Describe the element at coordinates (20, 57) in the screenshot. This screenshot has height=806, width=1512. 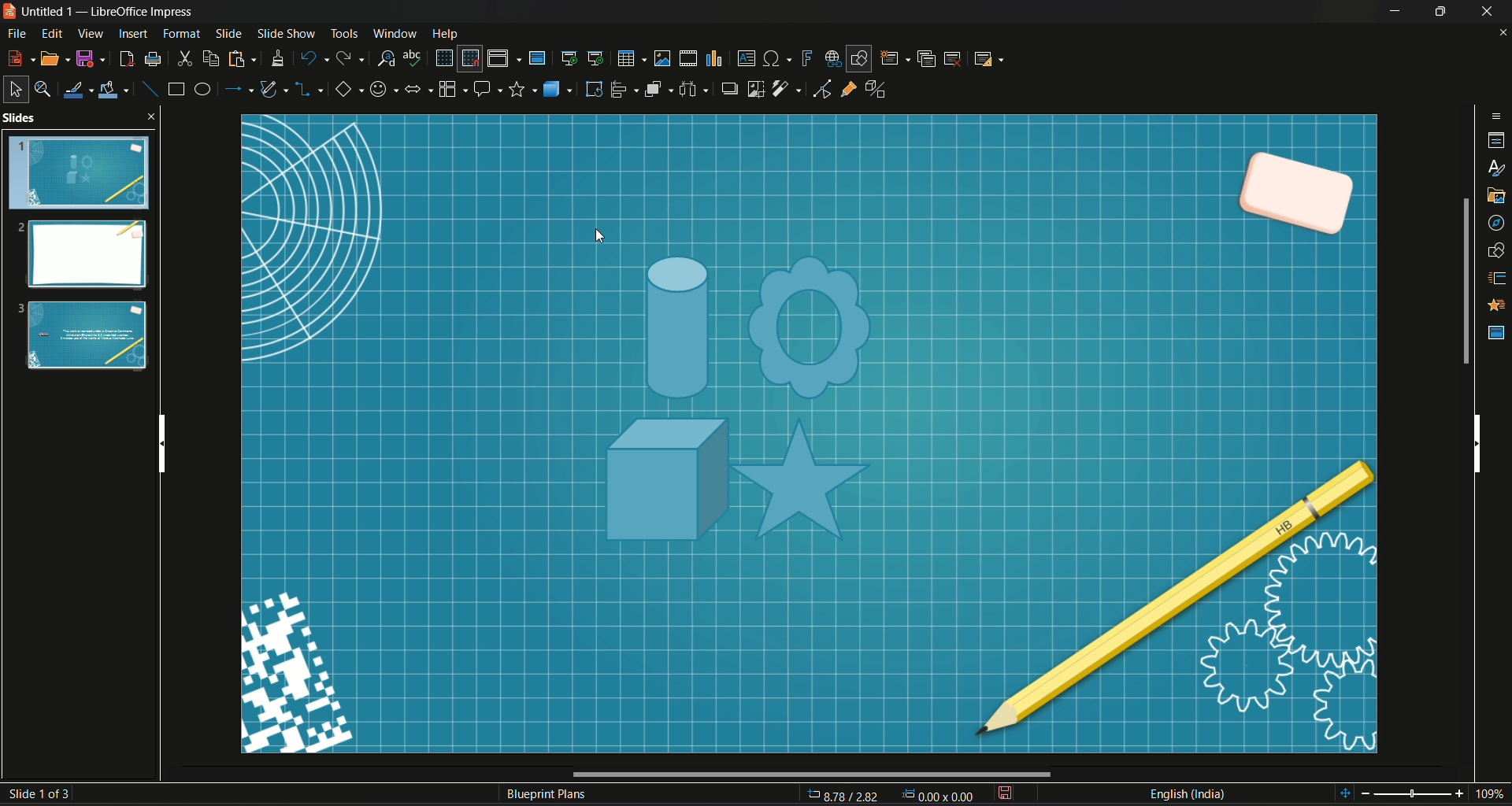
I see `new` at that location.